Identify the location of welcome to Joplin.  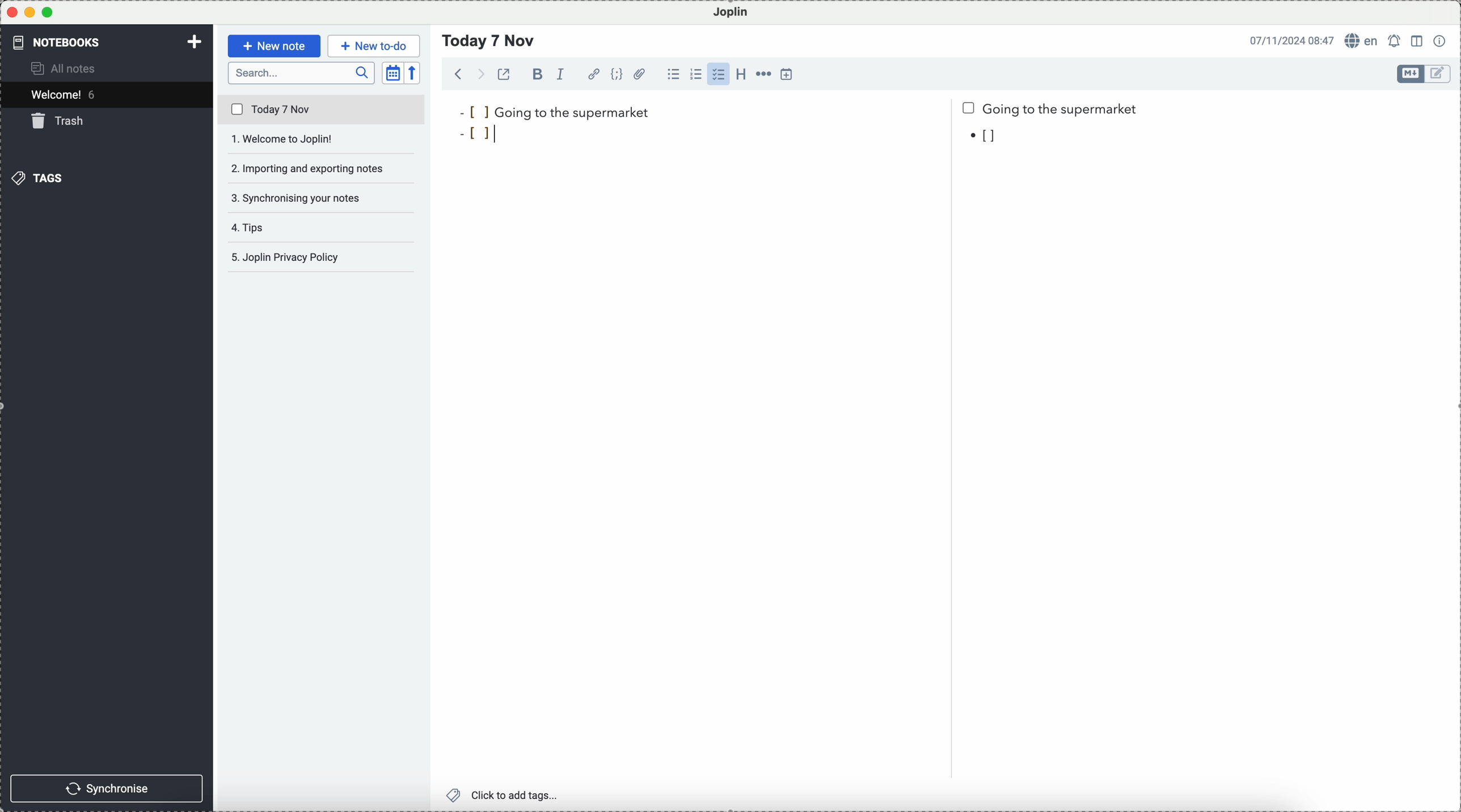
(321, 139).